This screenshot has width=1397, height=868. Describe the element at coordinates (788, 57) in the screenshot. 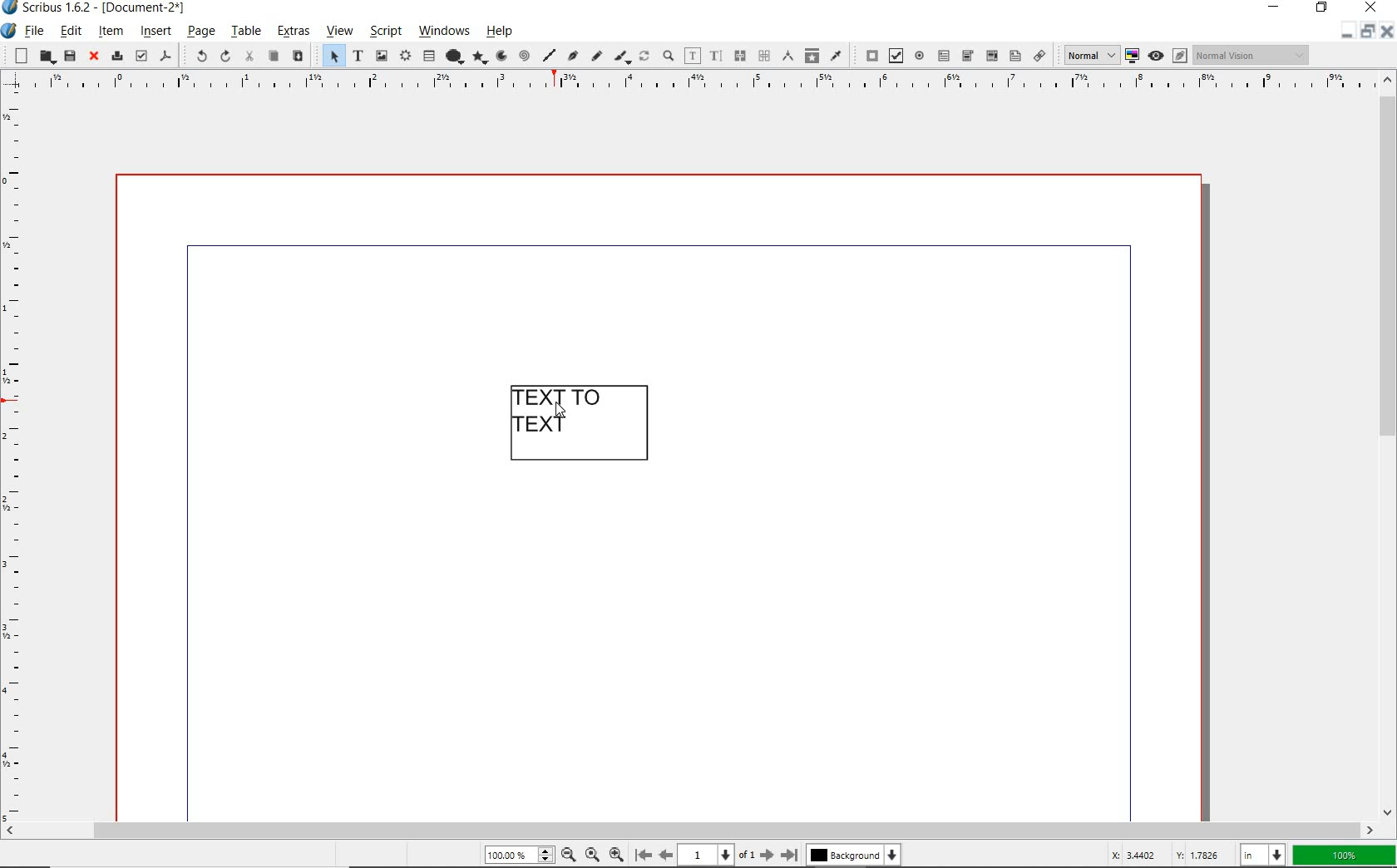

I see `measurements` at that location.